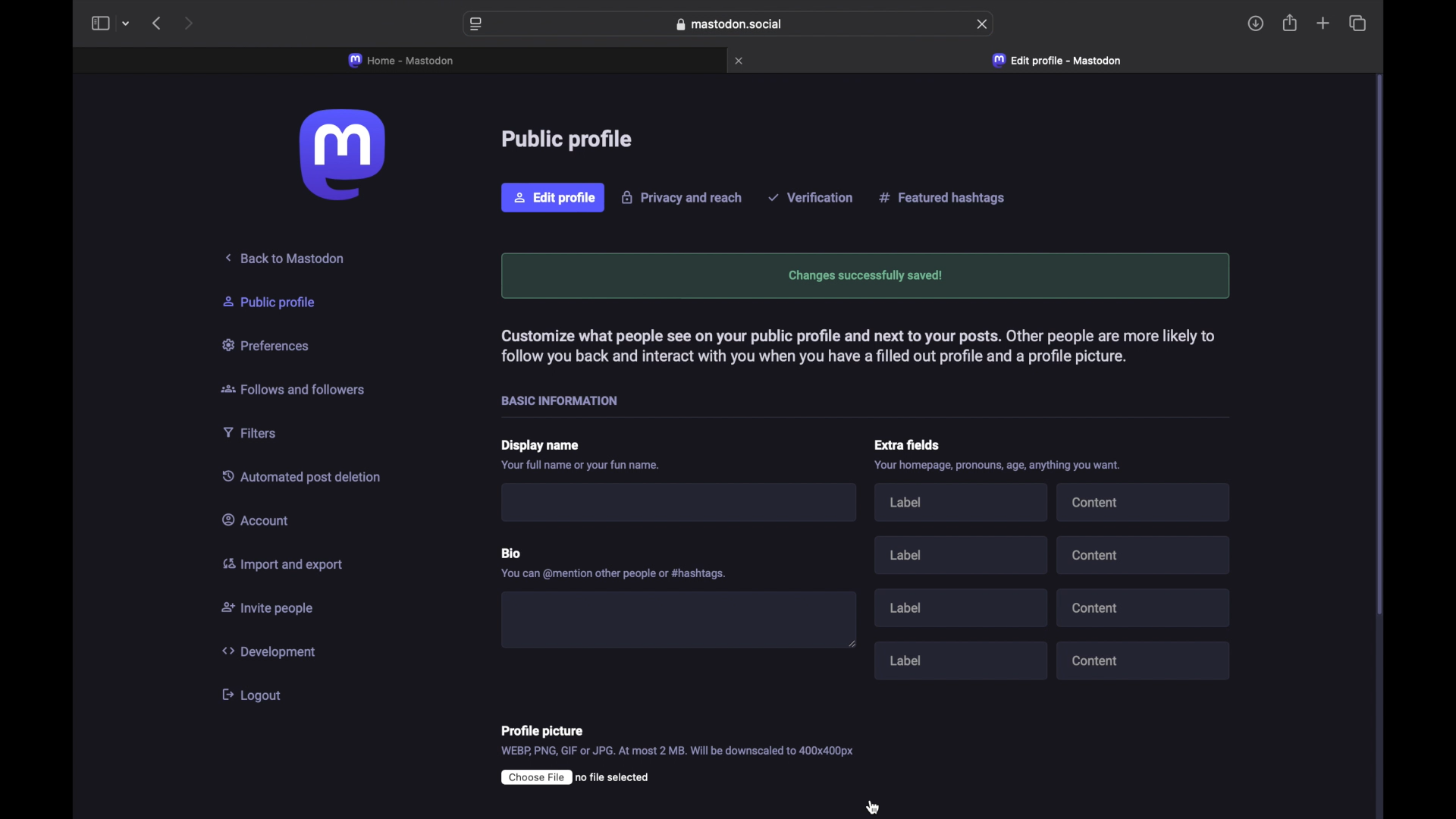  What do you see at coordinates (582, 778) in the screenshot?
I see `(EEE ro file selected` at bounding box center [582, 778].